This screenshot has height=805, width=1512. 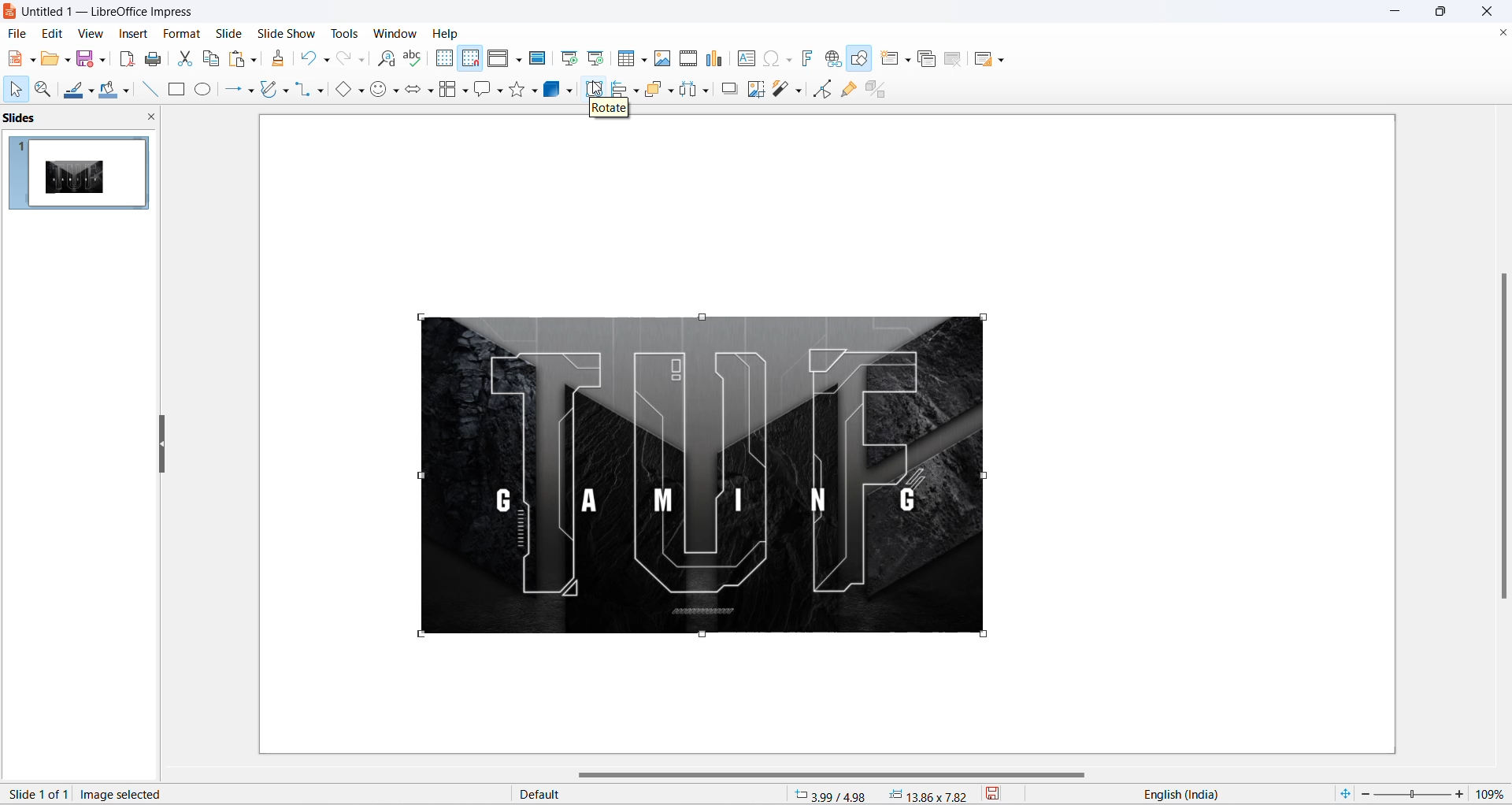 What do you see at coordinates (598, 57) in the screenshot?
I see `start at current slide` at bounding box center [598, 57].